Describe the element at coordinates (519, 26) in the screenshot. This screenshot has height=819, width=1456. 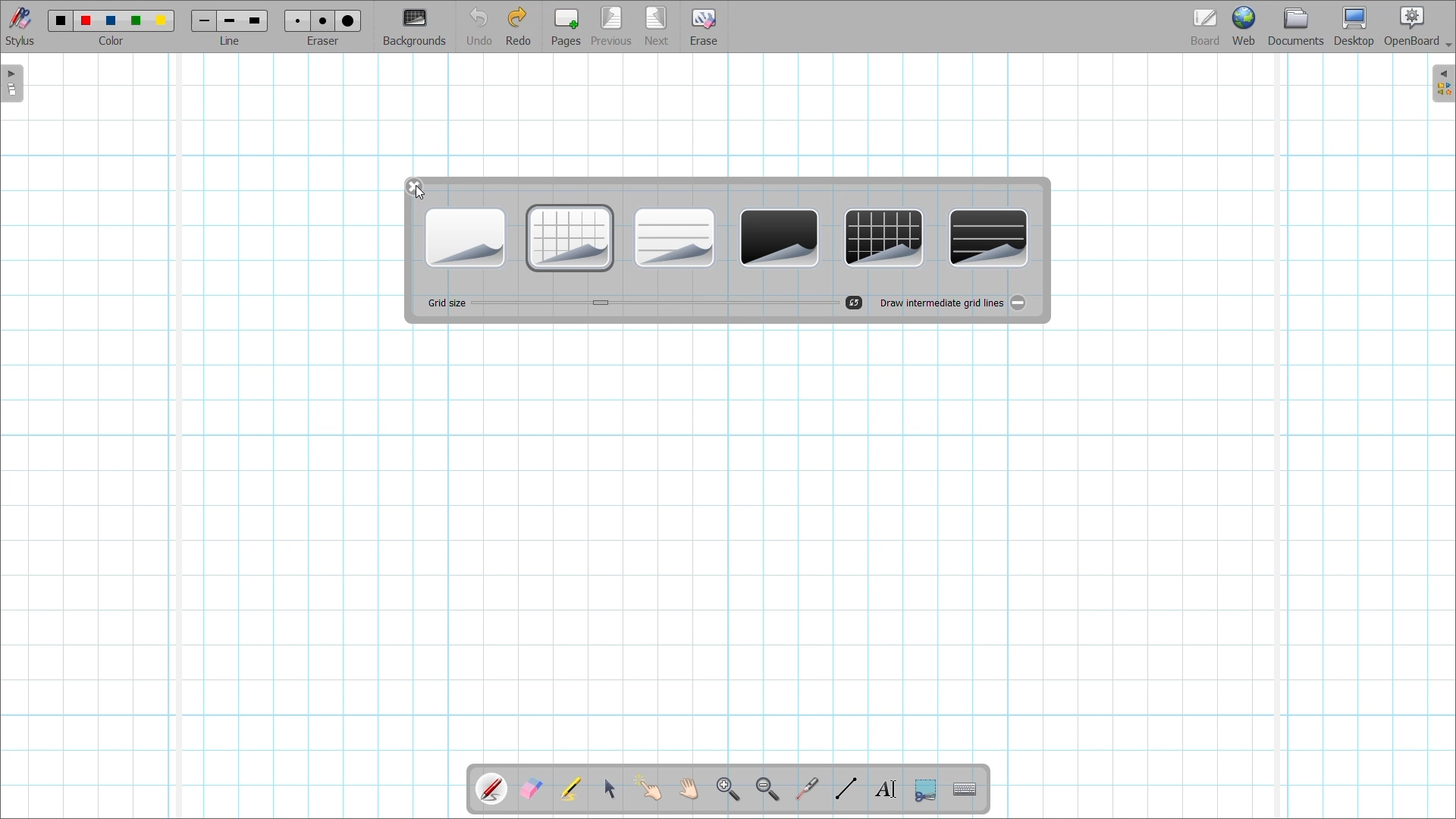
I see `Redo` at that location.